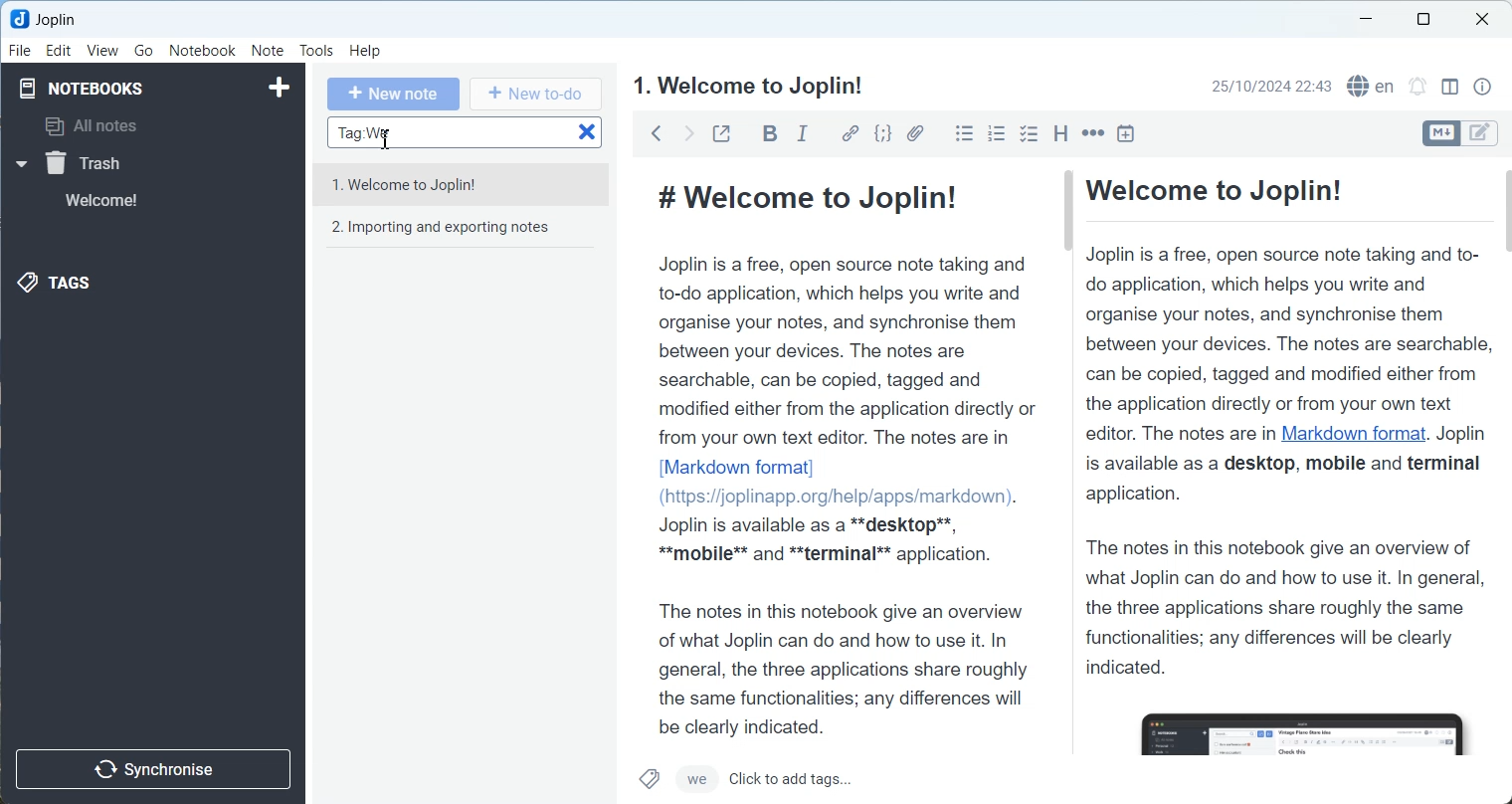 The image size is (1512, 804). Describe the element at coordinates (462, 183) in the screenshot. I see `welcome to joplin` at that location.